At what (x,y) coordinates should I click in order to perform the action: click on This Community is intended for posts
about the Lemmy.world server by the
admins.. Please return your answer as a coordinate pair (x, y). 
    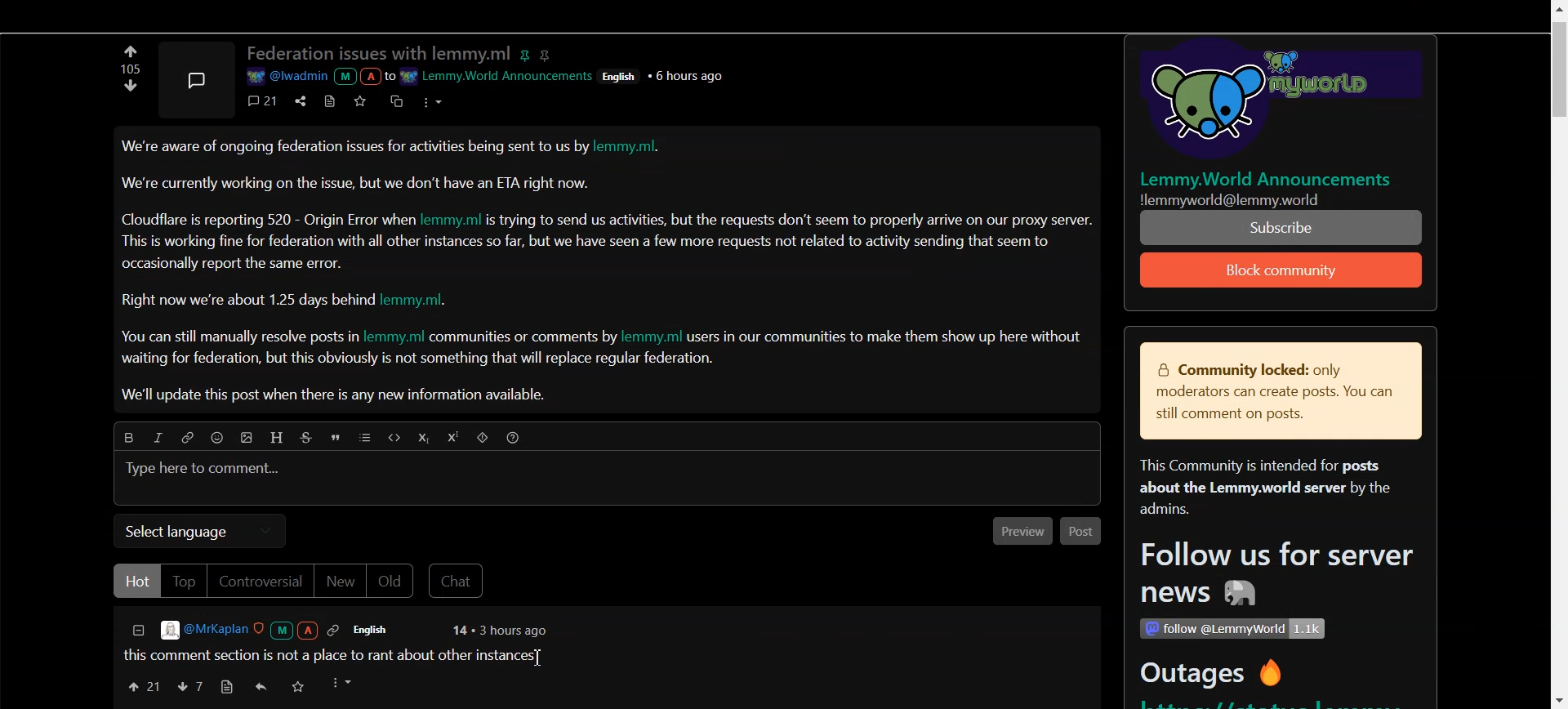
    Looking at the image, I should click on (1258, 488).